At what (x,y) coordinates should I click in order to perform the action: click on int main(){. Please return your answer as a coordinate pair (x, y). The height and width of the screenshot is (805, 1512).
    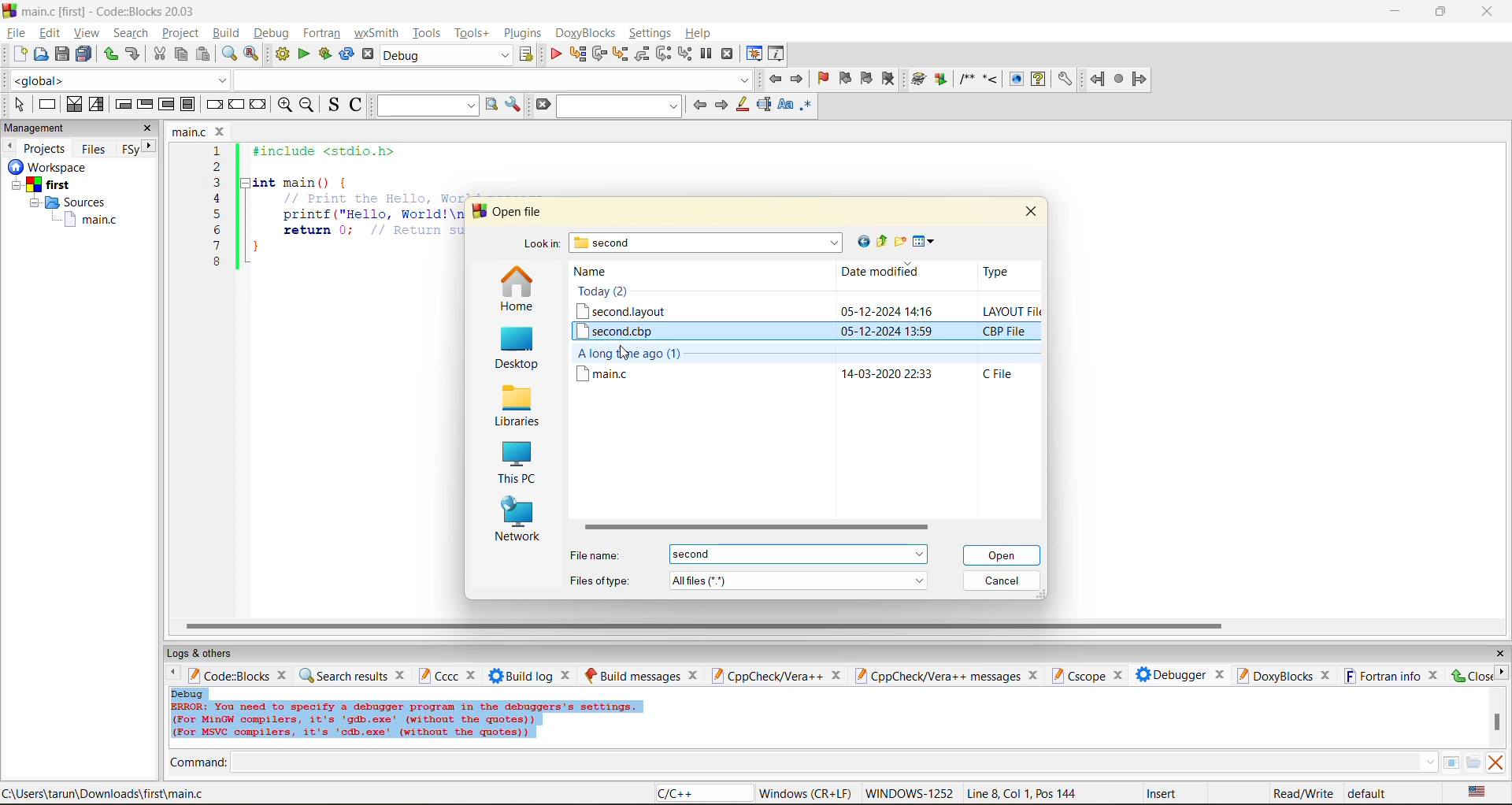
    Looking at the image, I should click on (312, 182).